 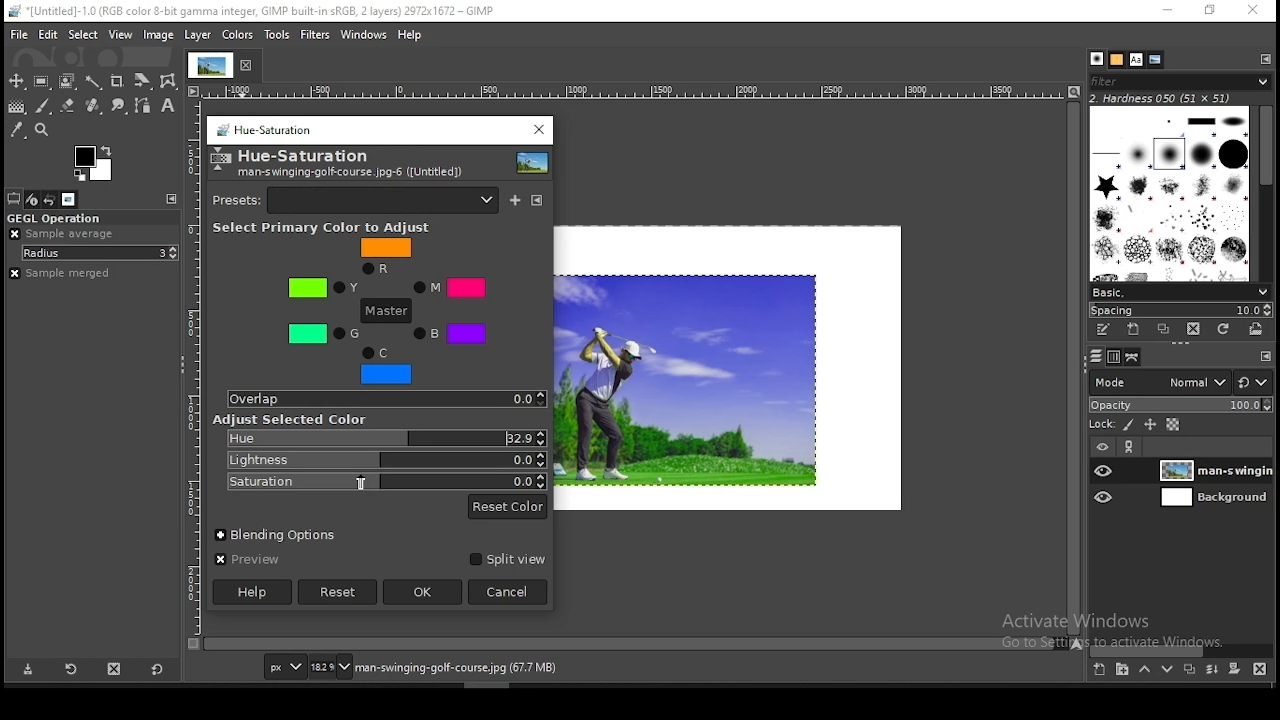 What do you see at coordinates (1102, 471) in the screenshot?
I see `layer visibility on/off` at bounding box center [1102, 471].